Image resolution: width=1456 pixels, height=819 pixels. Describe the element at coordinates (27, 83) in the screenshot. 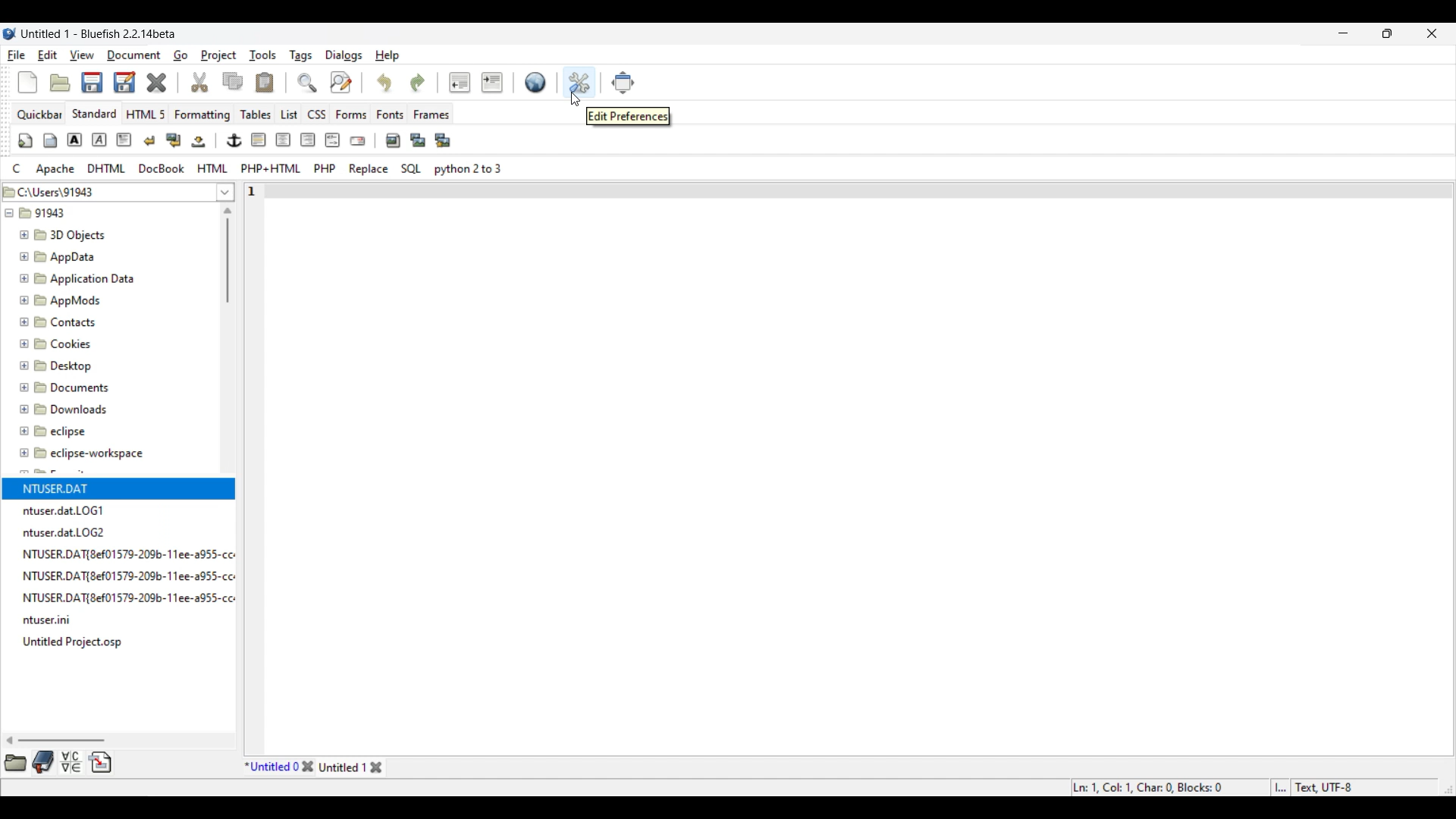

I see `New` at that location.